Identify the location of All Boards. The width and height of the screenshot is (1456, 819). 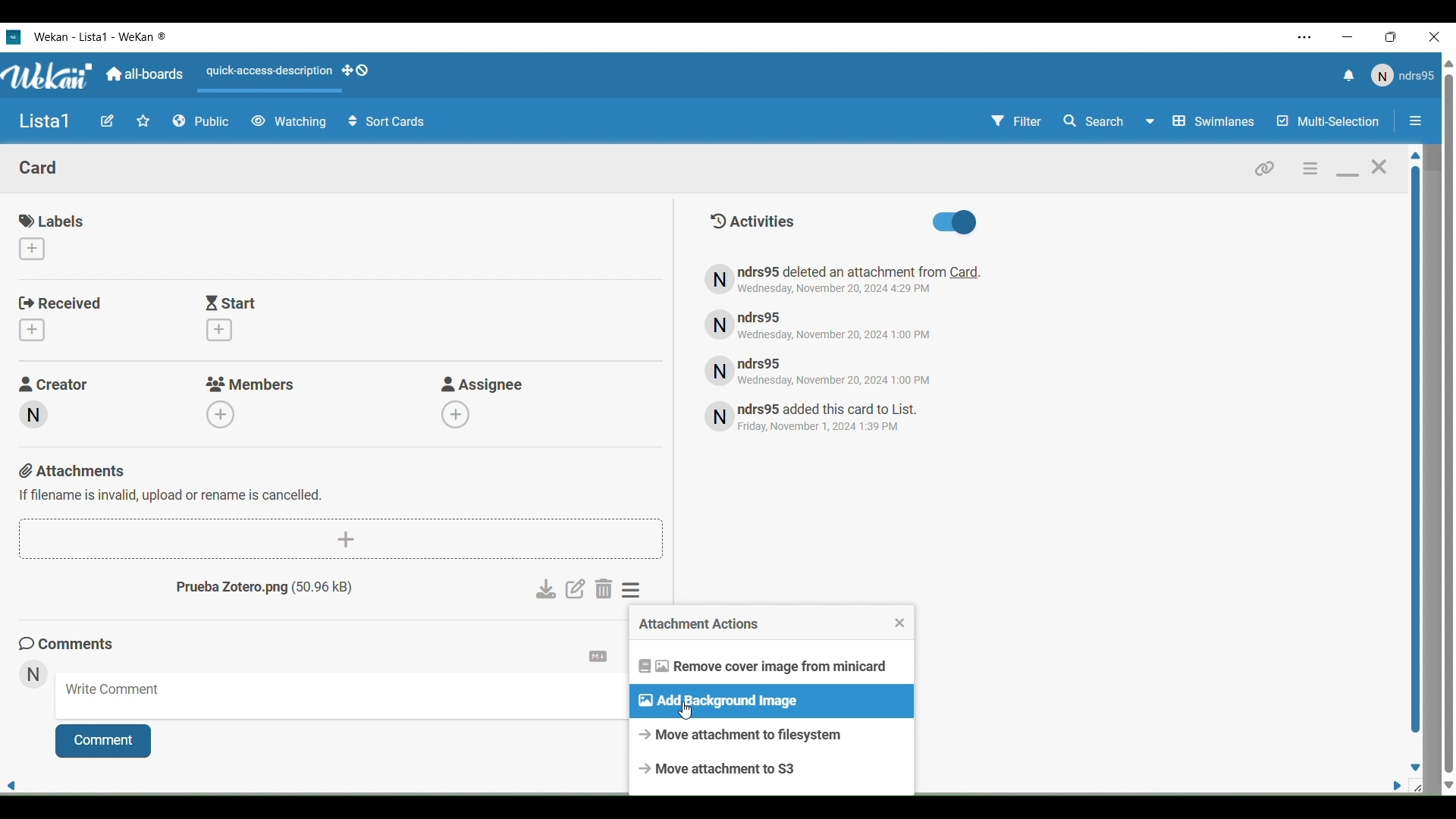
(146, 74).